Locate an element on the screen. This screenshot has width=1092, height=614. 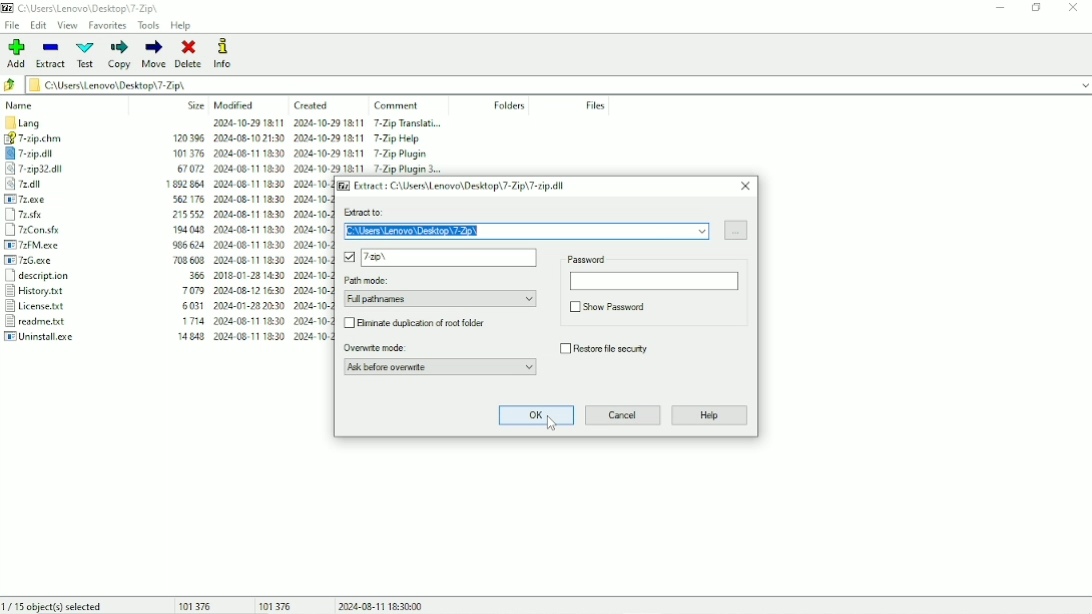
7-zip32.dll is located at coordinates (58, 169).